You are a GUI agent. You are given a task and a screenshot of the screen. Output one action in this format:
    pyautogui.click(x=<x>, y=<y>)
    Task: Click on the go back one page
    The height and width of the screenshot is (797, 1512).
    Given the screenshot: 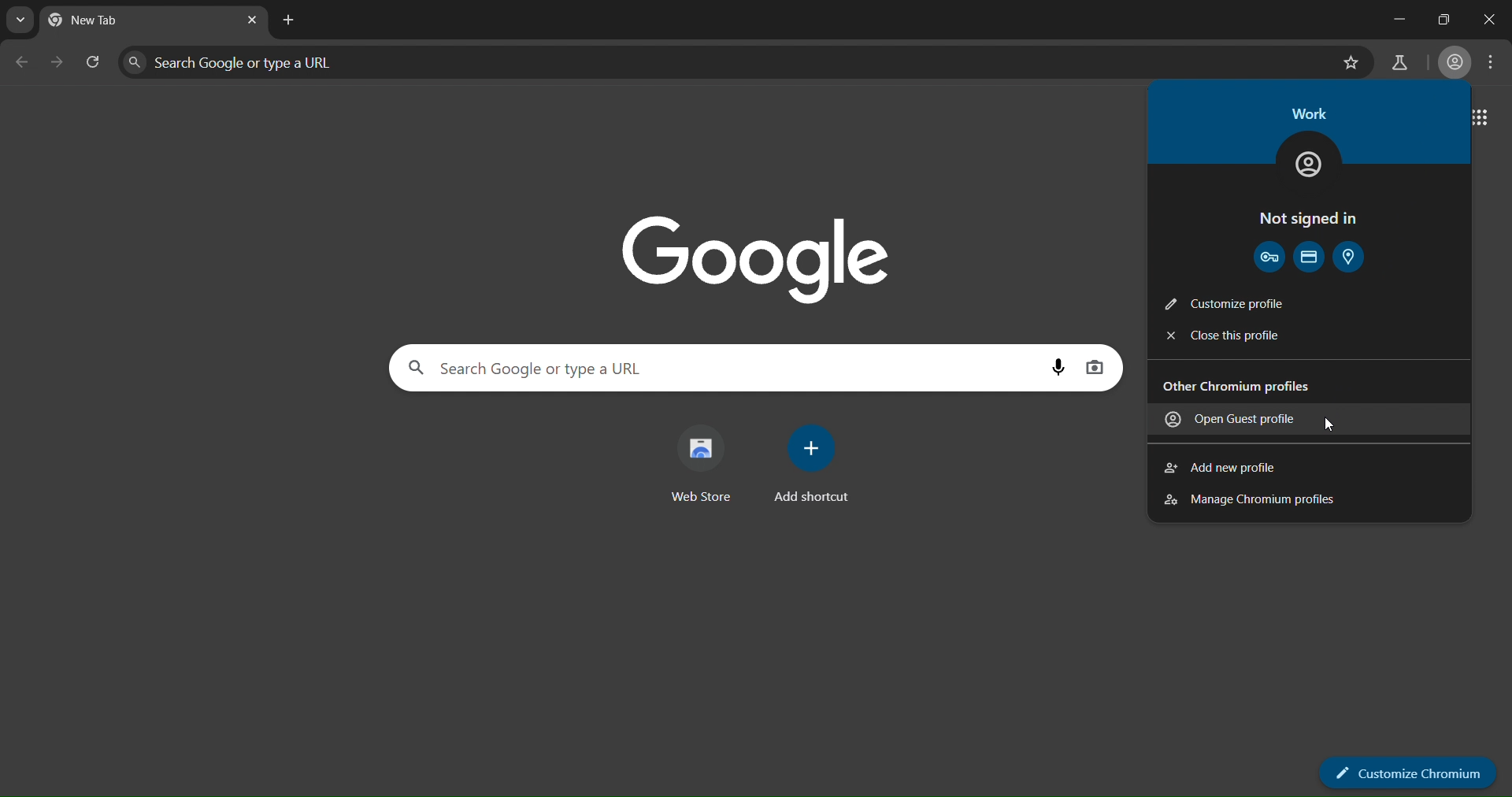 What is the action you would take?
    pyautogui.click(x=17, y=63)
    